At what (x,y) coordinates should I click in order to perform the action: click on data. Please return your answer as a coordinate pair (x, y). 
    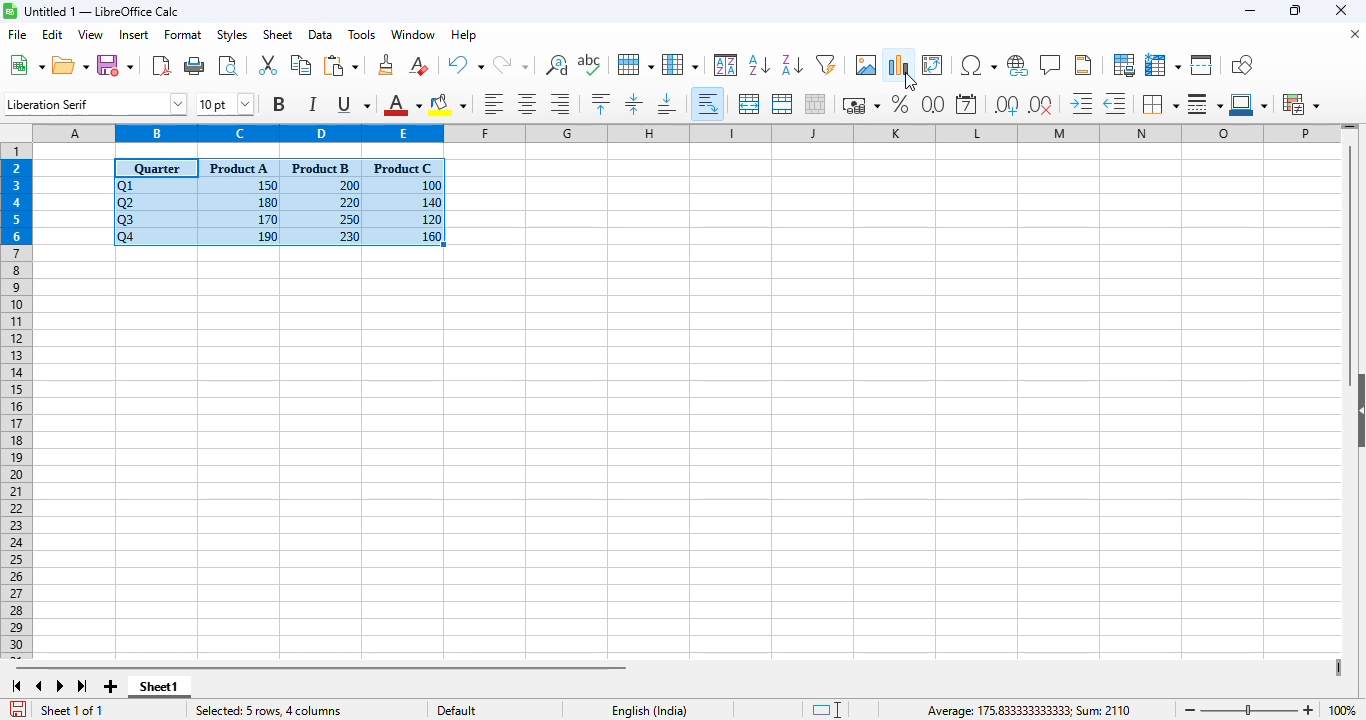
    Looking at the image, I should click on (320, 34).